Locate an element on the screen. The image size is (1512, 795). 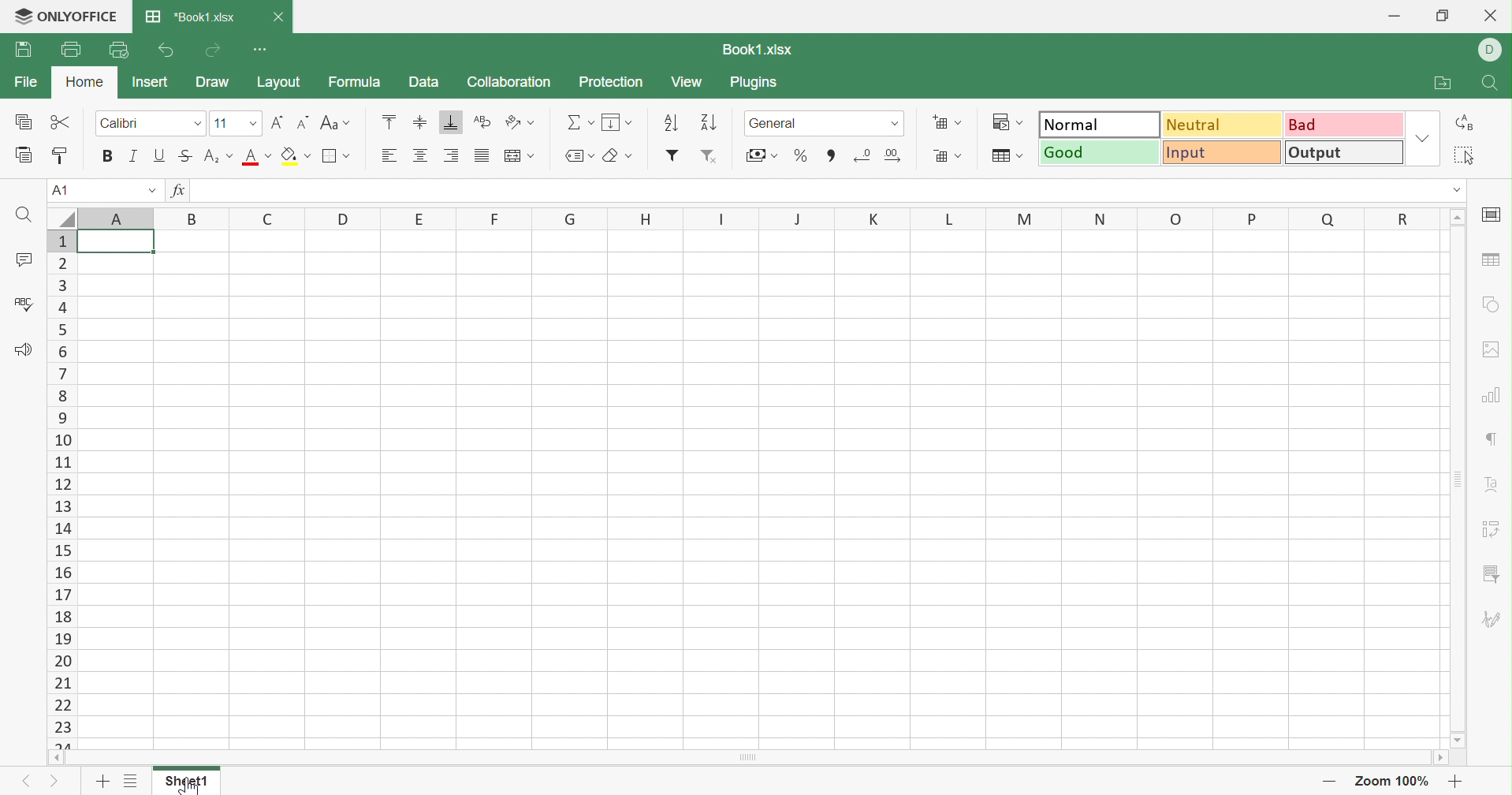
Conditional formatting is located at coordinates (1006, 121).